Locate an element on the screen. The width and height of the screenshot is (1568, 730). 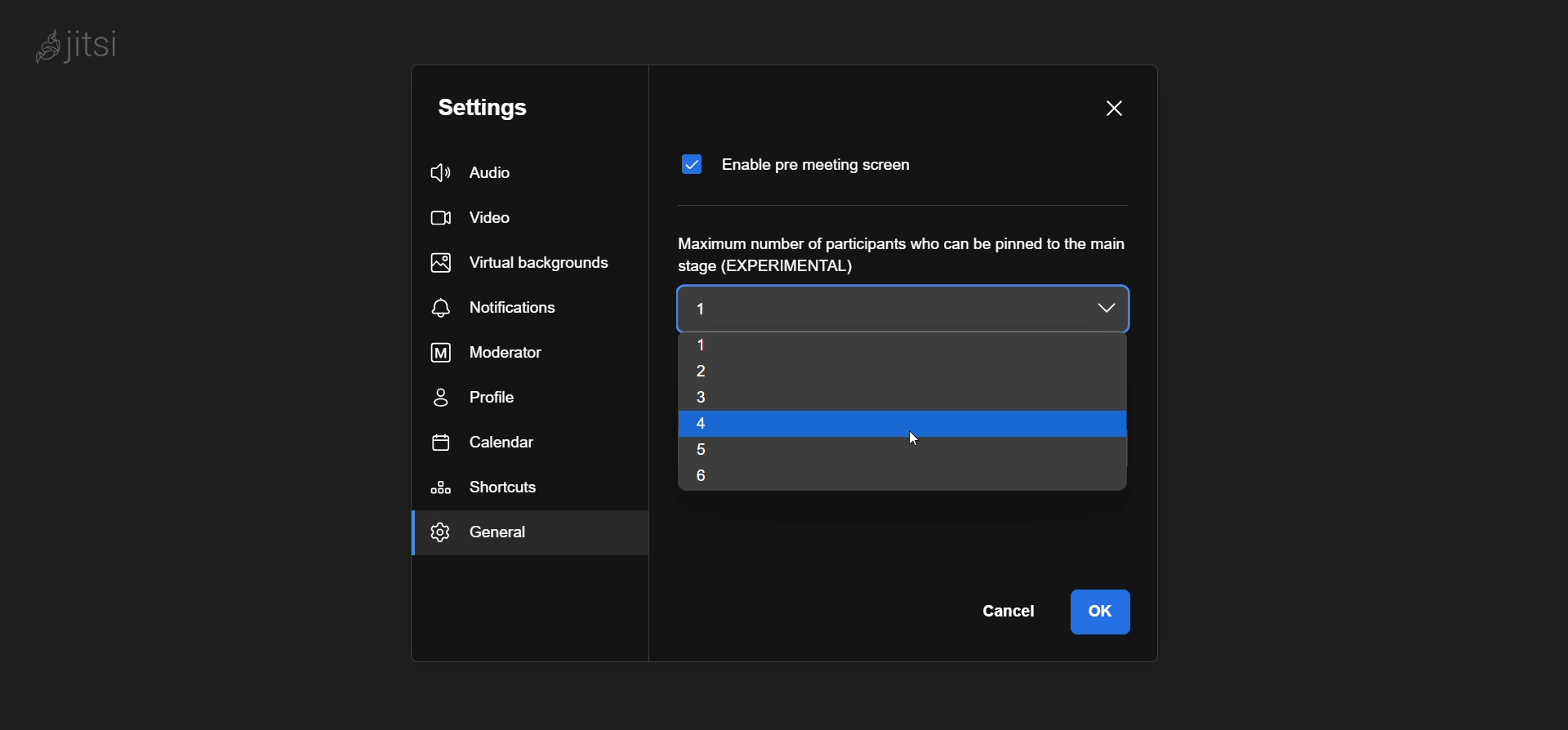
close pane is located at coordinates (1113, 110).